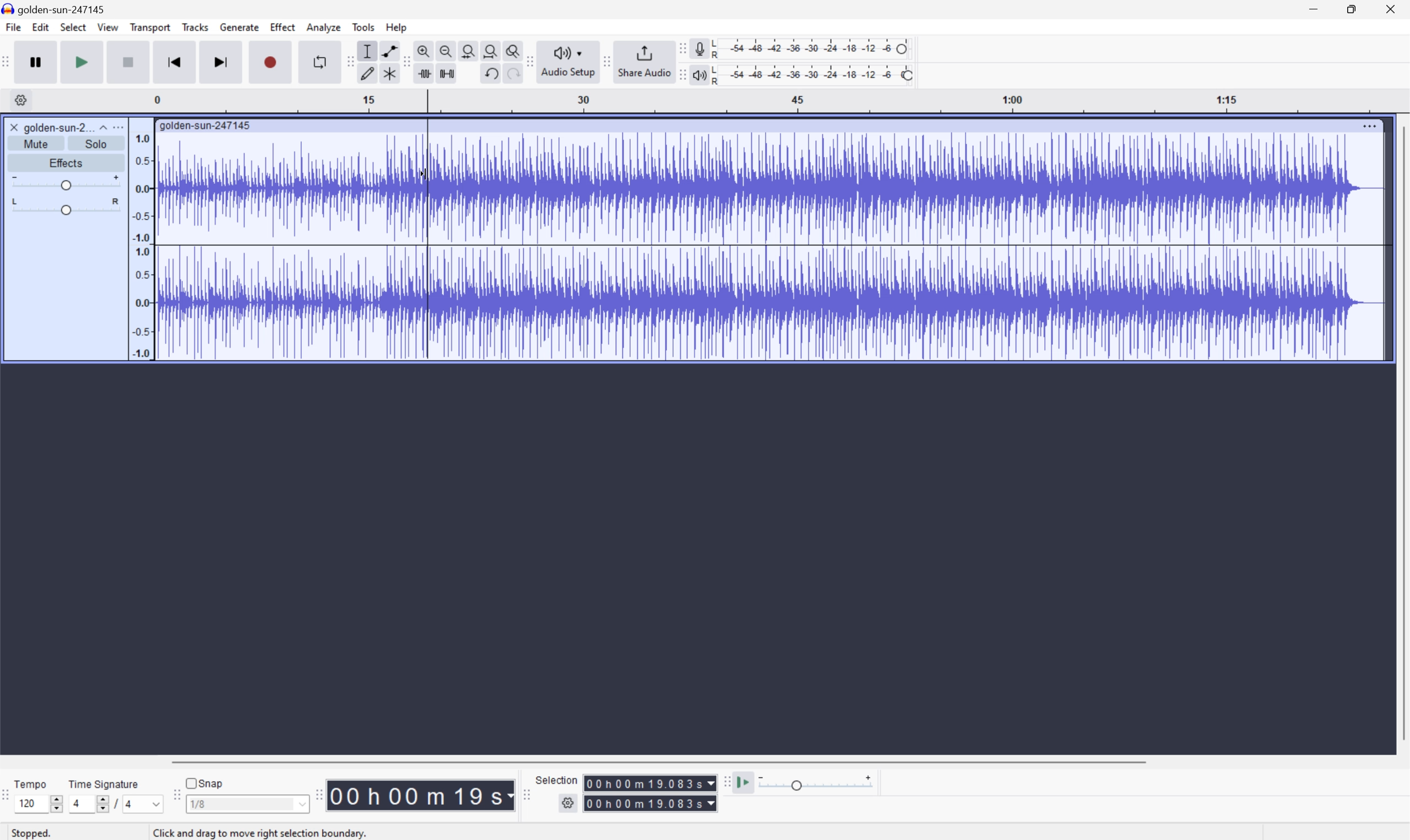 The image size is (1410, 840). Describe the element at coordinates (607, 60) in the screenshot. I see `Audacity Share audio toolbar` at that location.